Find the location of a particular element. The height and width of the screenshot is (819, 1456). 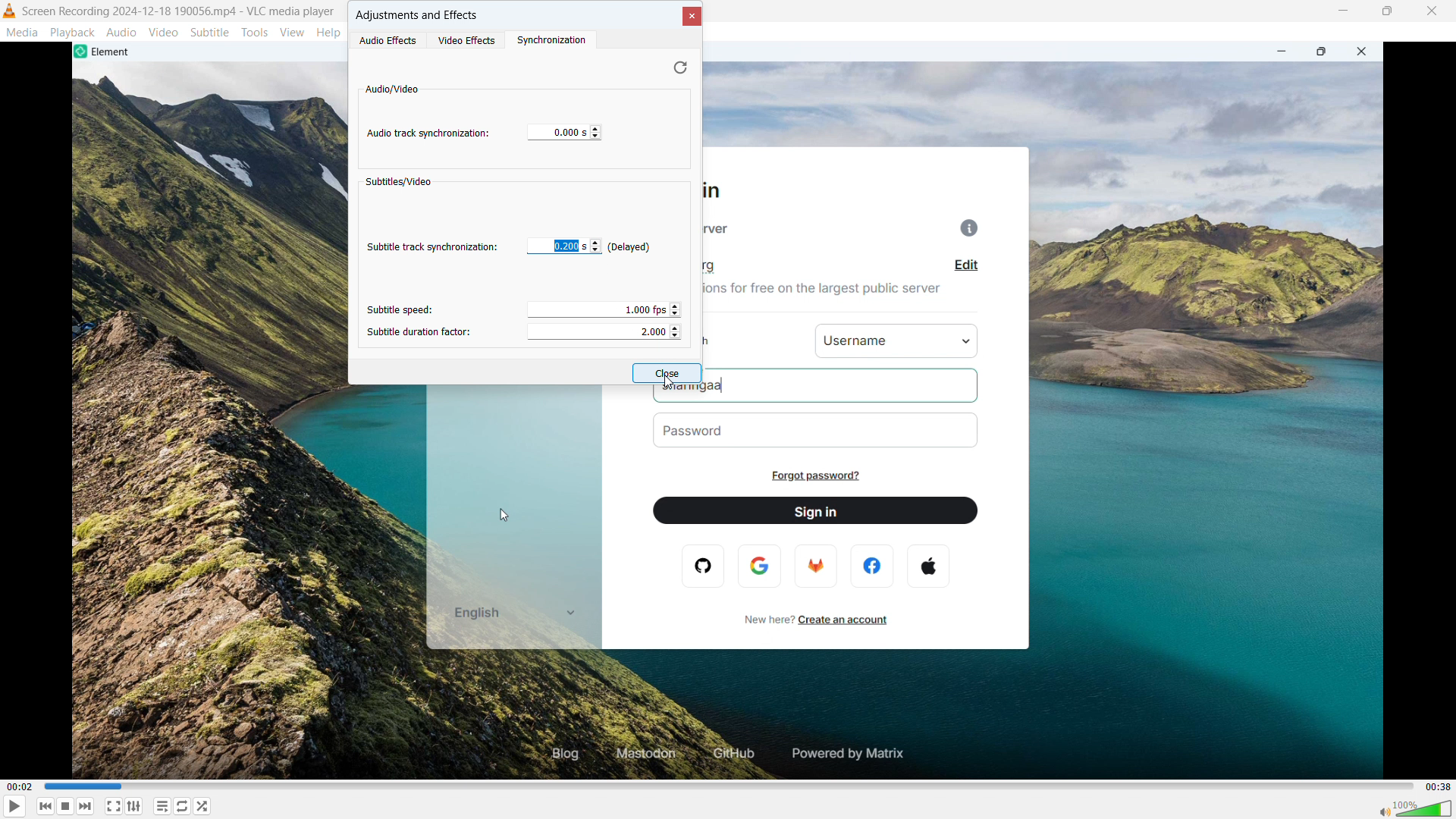

firefox logo is located at coordinates (817, 566).